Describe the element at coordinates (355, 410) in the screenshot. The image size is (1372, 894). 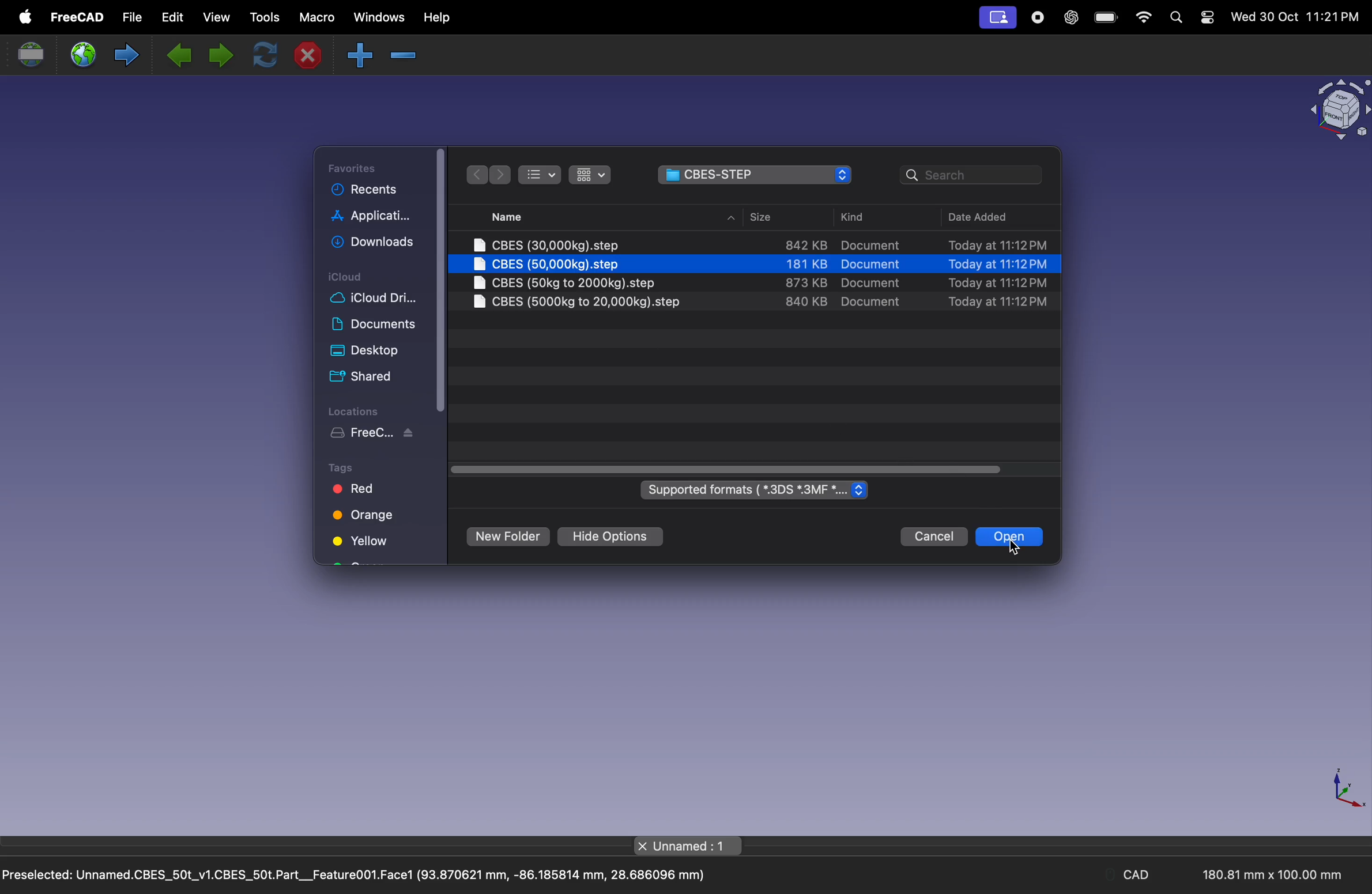
I see `Locations` at that location.